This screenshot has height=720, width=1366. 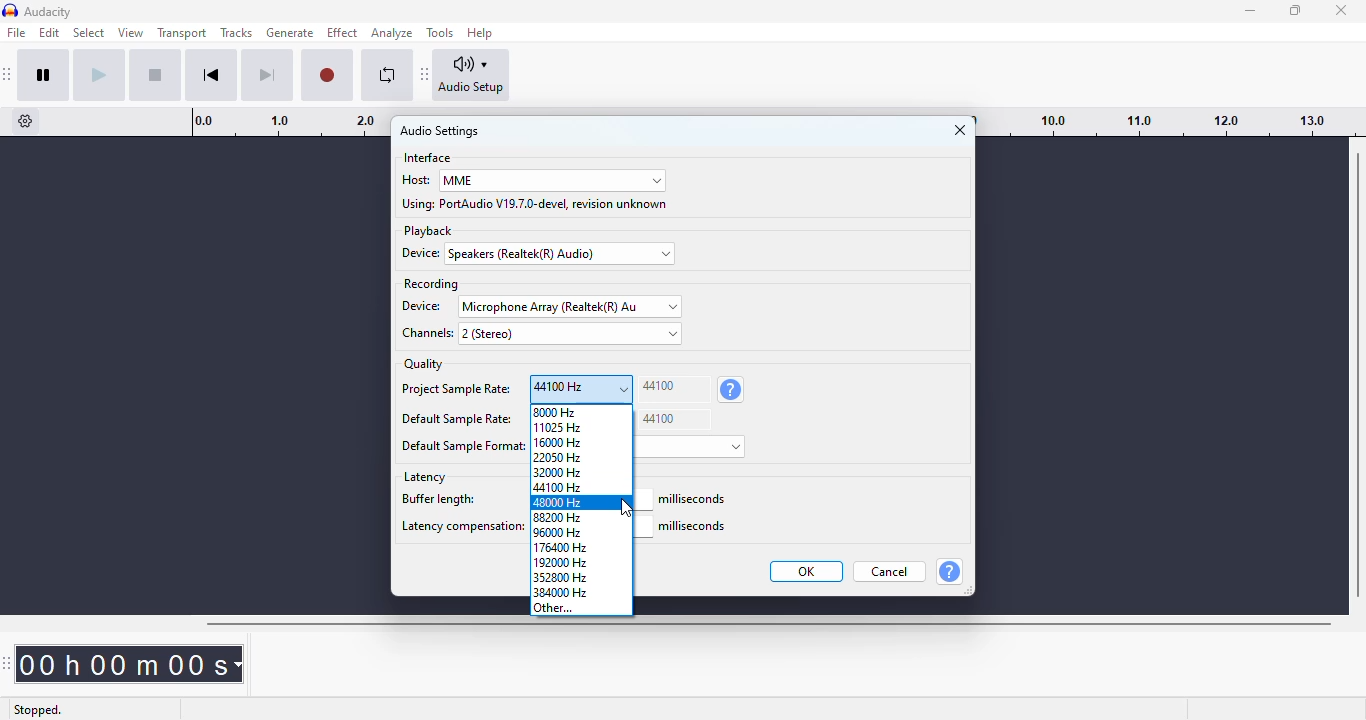 What do you see at coordinates (580, 426) in the screenshot?
I see `11025 Hz` at bounding box center [580, 426].